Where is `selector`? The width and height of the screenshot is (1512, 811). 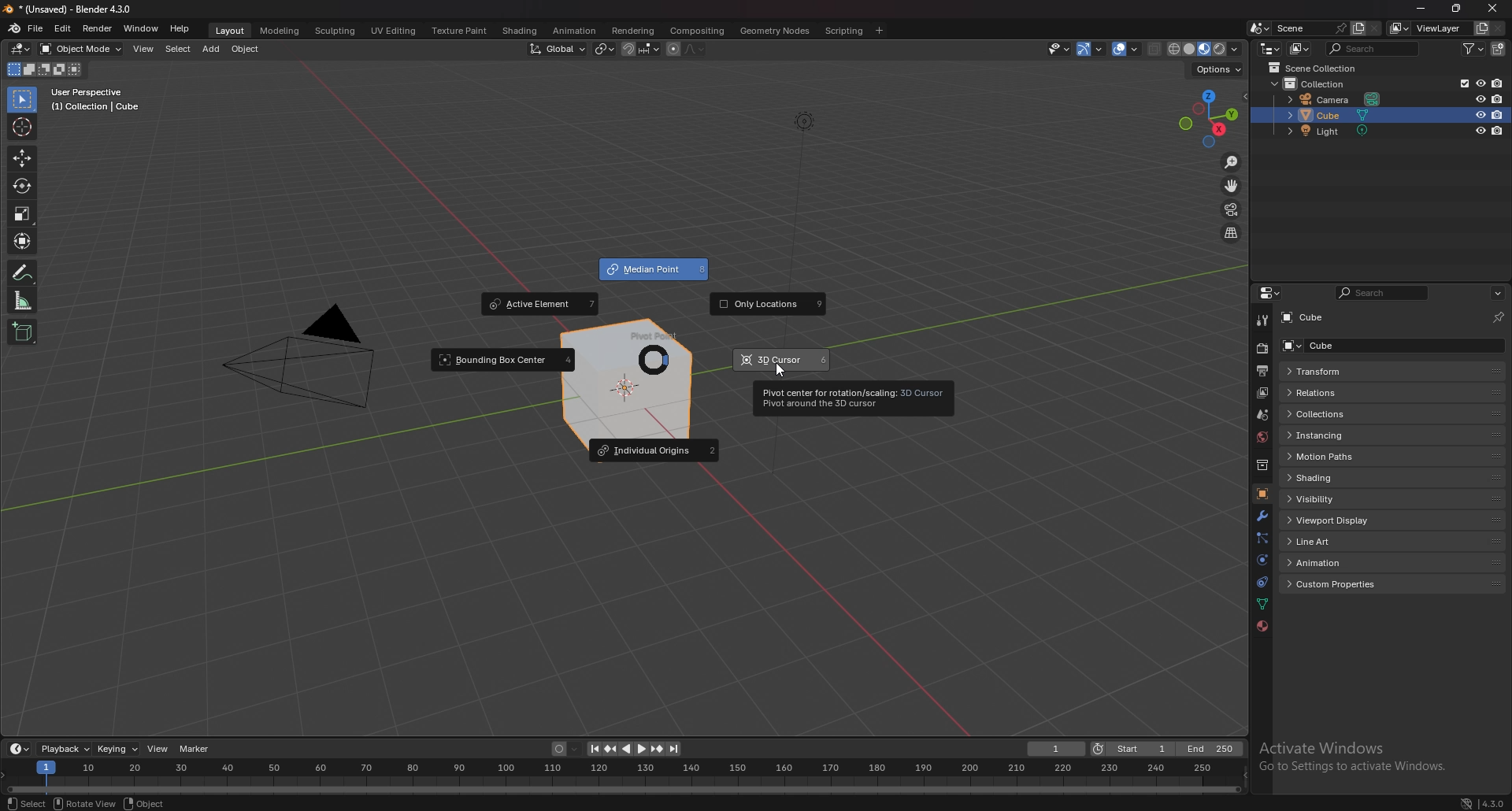 selector is located at coordinates (22, 100).